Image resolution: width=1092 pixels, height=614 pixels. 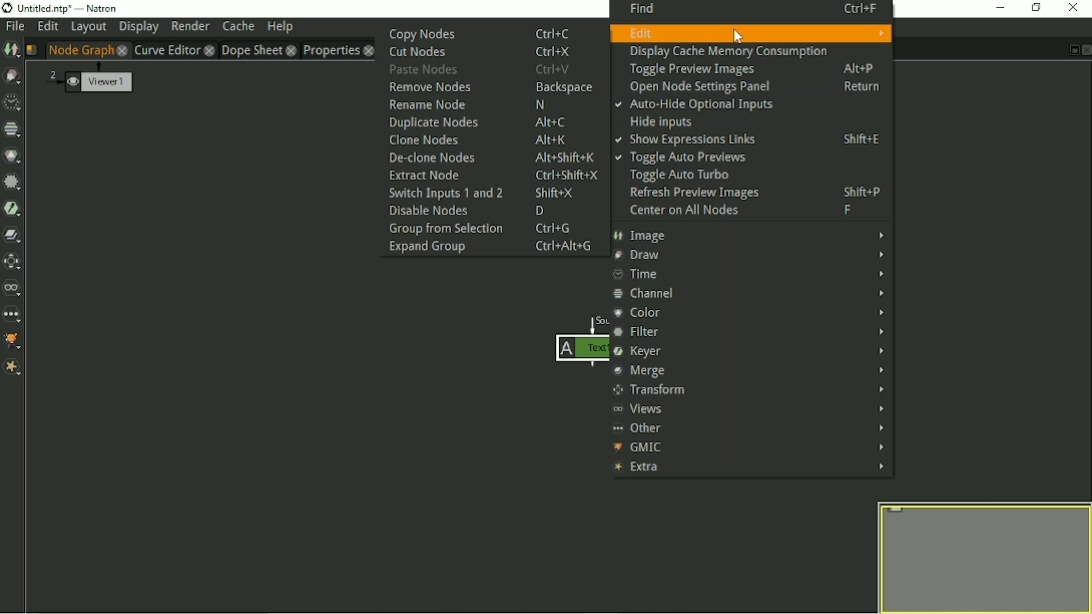 What do you see at coordinates (751, 32) in the screenshot?
I see `Edit` at bounding box center [751, 32].